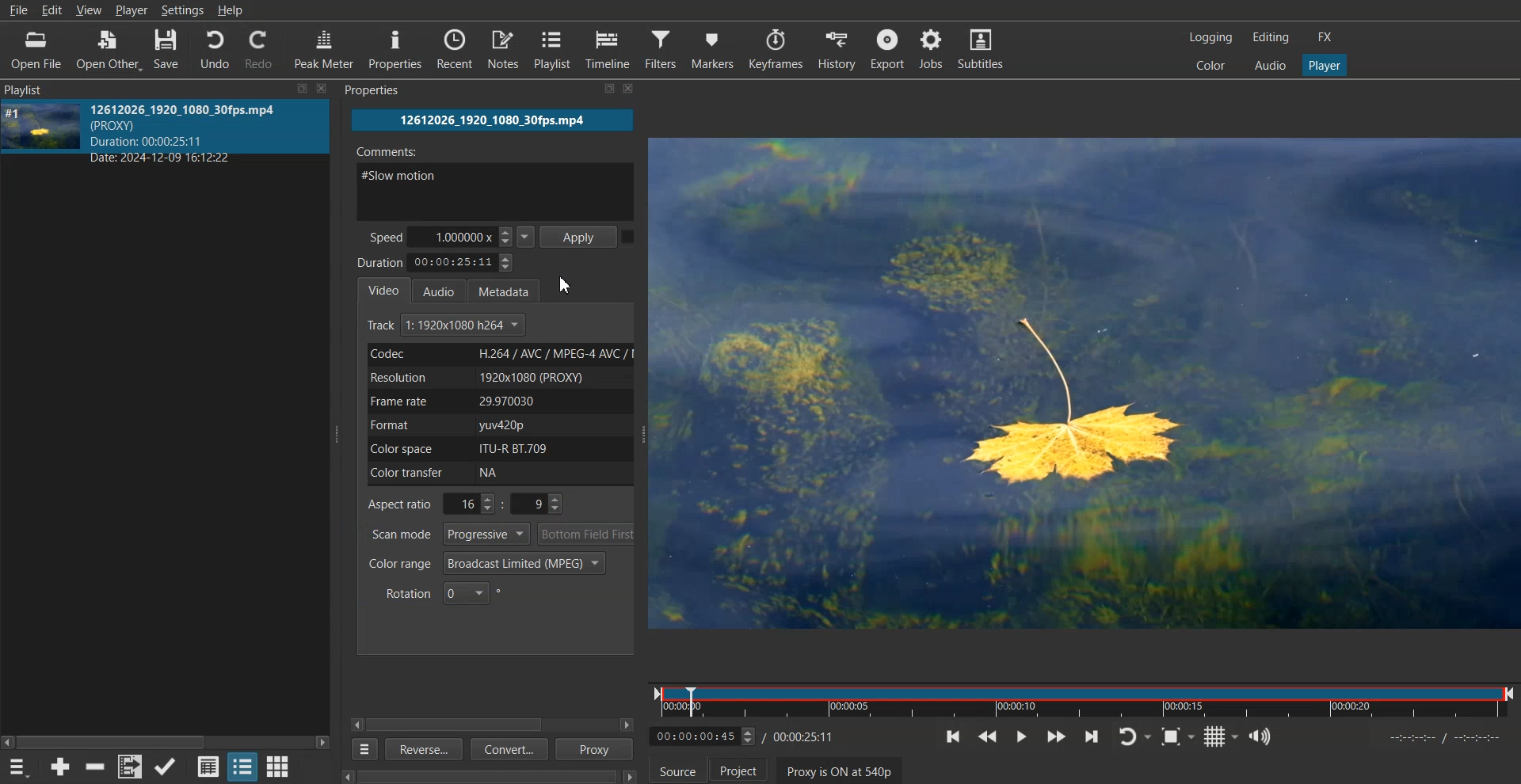  I want to click on Undo, so click(214, 48).